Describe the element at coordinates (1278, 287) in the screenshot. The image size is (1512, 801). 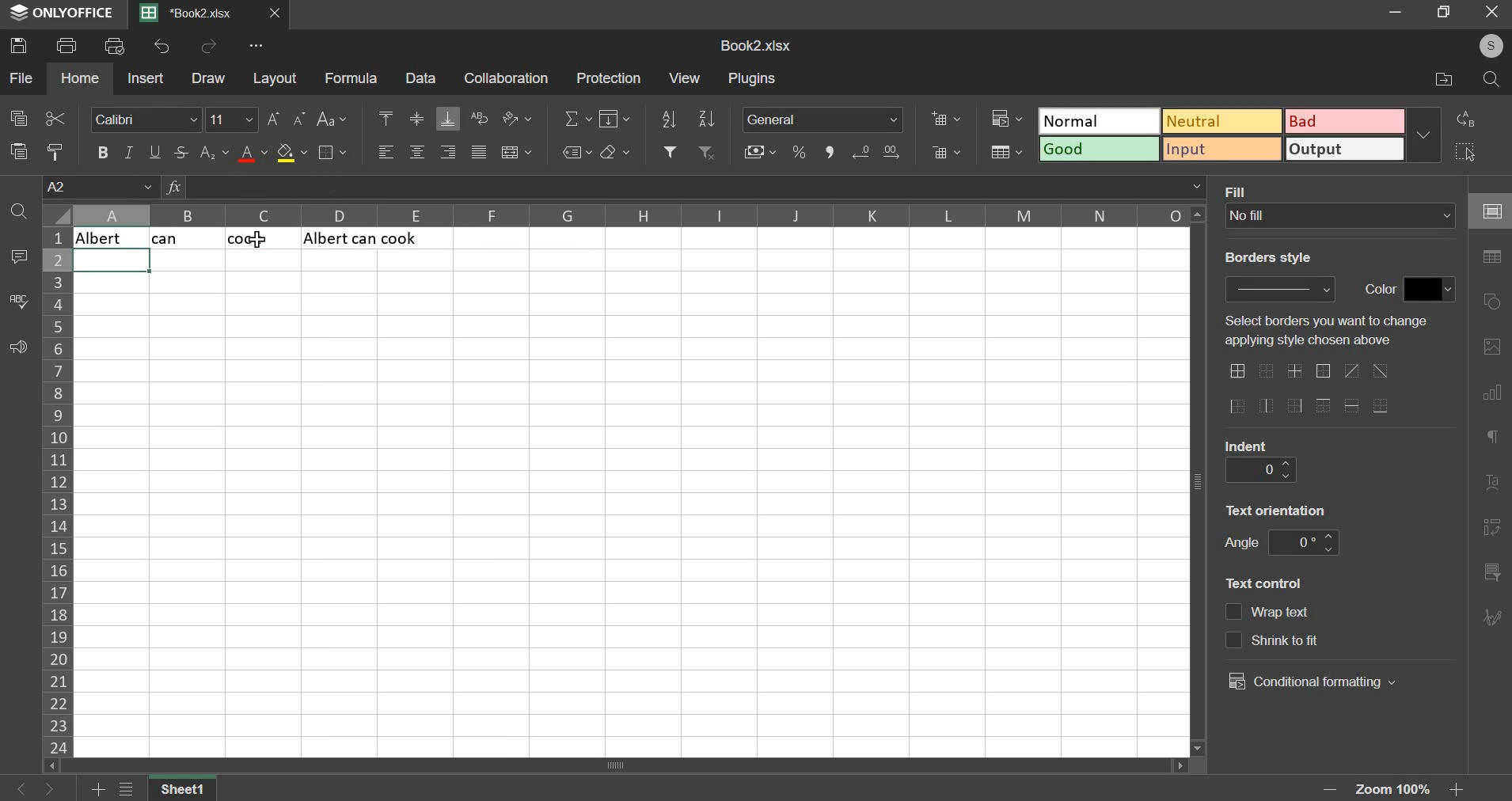
I see `border style` at that location.